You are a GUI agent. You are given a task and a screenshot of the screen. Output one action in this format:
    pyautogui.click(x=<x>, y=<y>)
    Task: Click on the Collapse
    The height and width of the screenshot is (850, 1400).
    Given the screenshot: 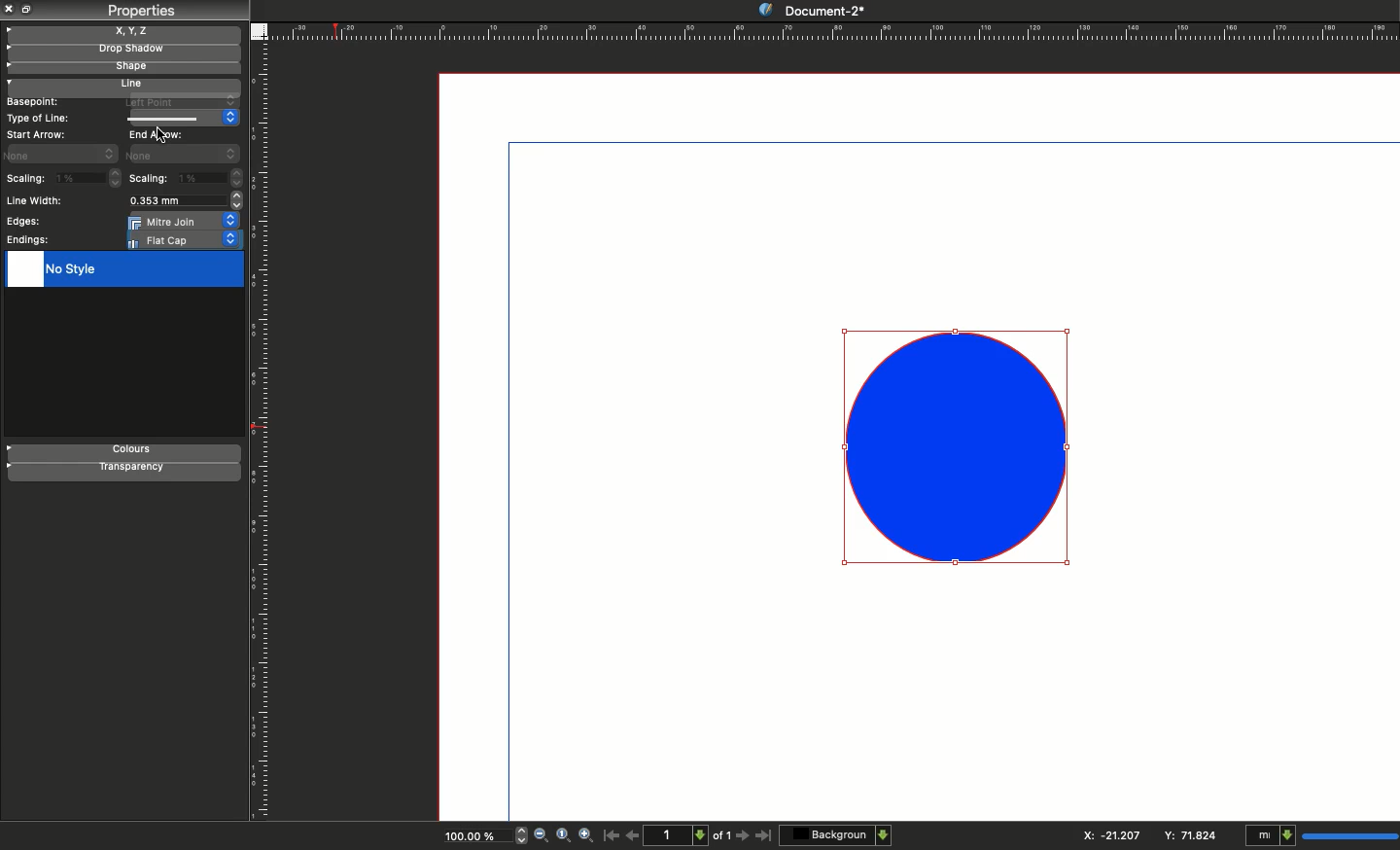 What is the action you would take?
    pyautogui.click(x=29, y=9)
    